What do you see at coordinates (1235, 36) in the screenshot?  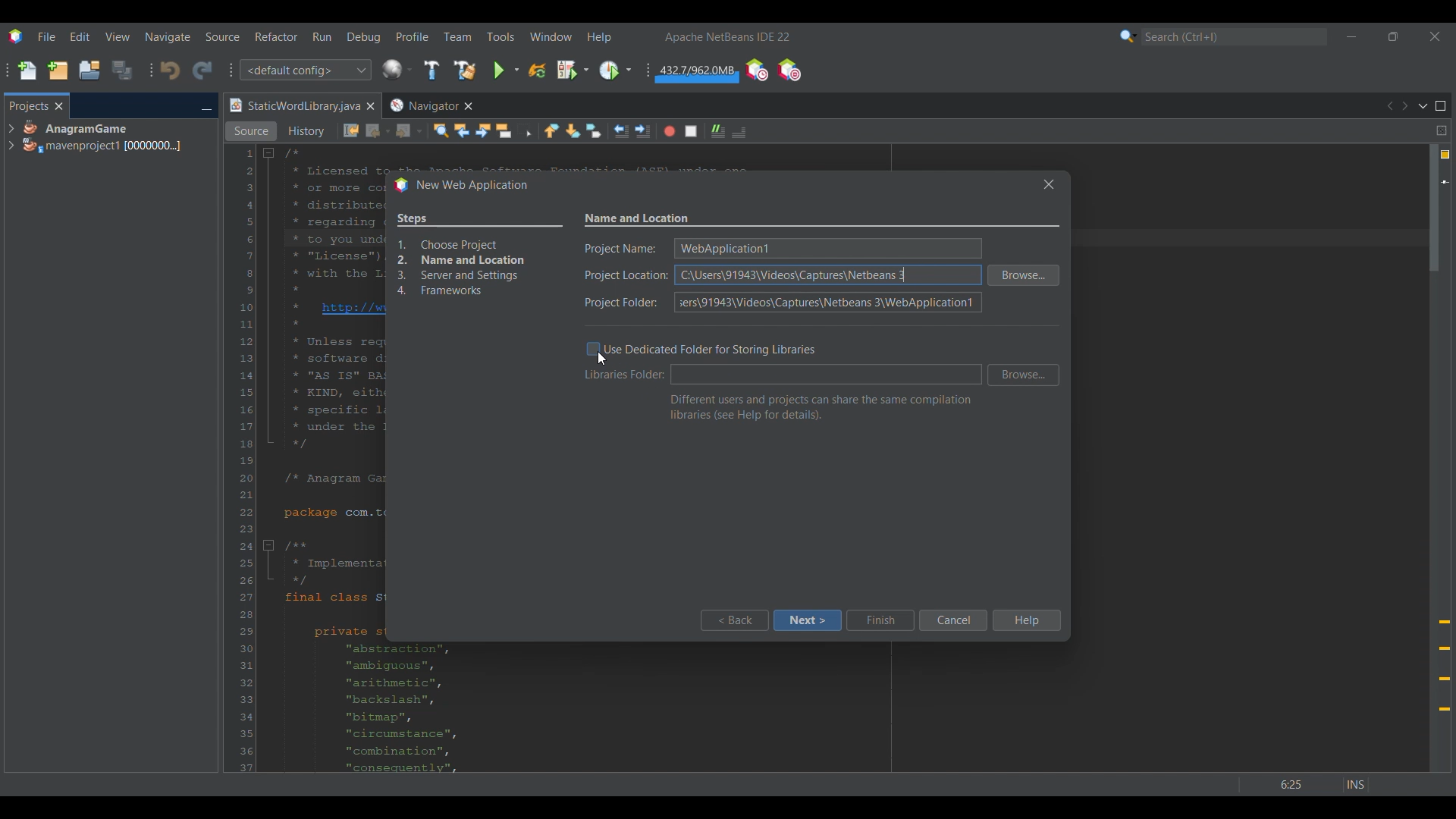 I see `Search box` at bounding box center [1235, 36].